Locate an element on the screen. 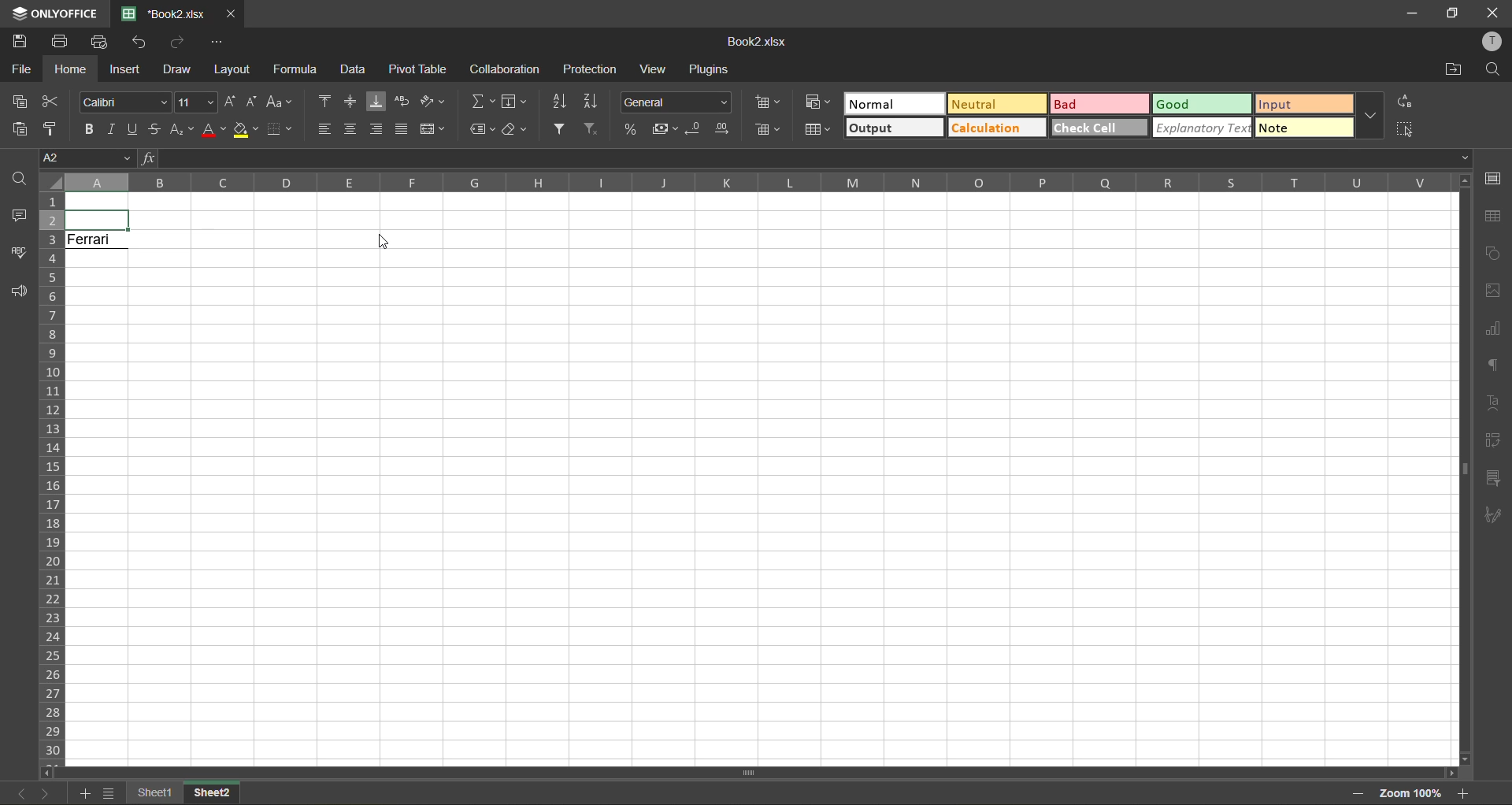 The height and width of the screenshot is (805, 1512). zoom factor is located at coordinates (1414, 793).